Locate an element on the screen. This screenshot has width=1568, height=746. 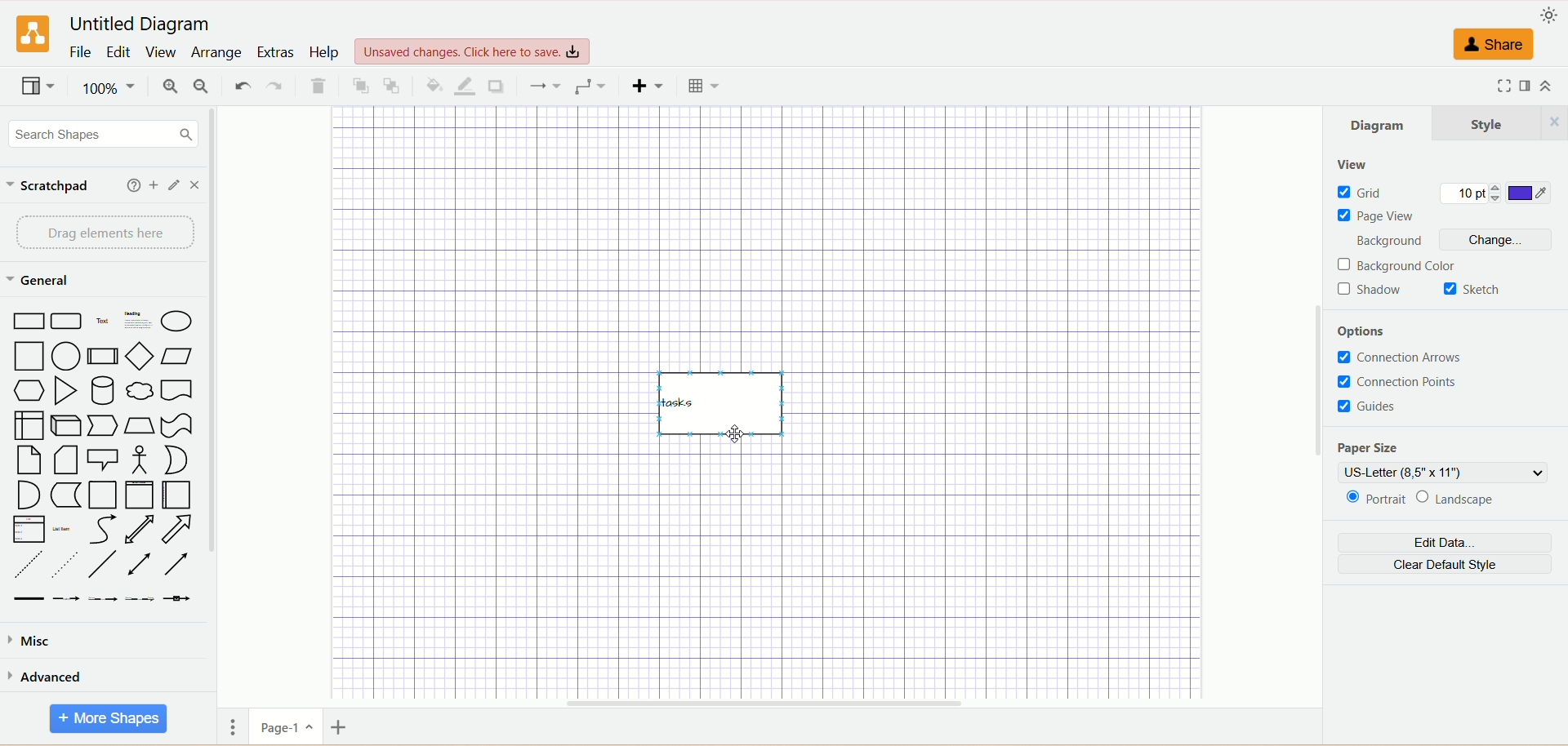
Triangle is located at coordinates (65, 391).